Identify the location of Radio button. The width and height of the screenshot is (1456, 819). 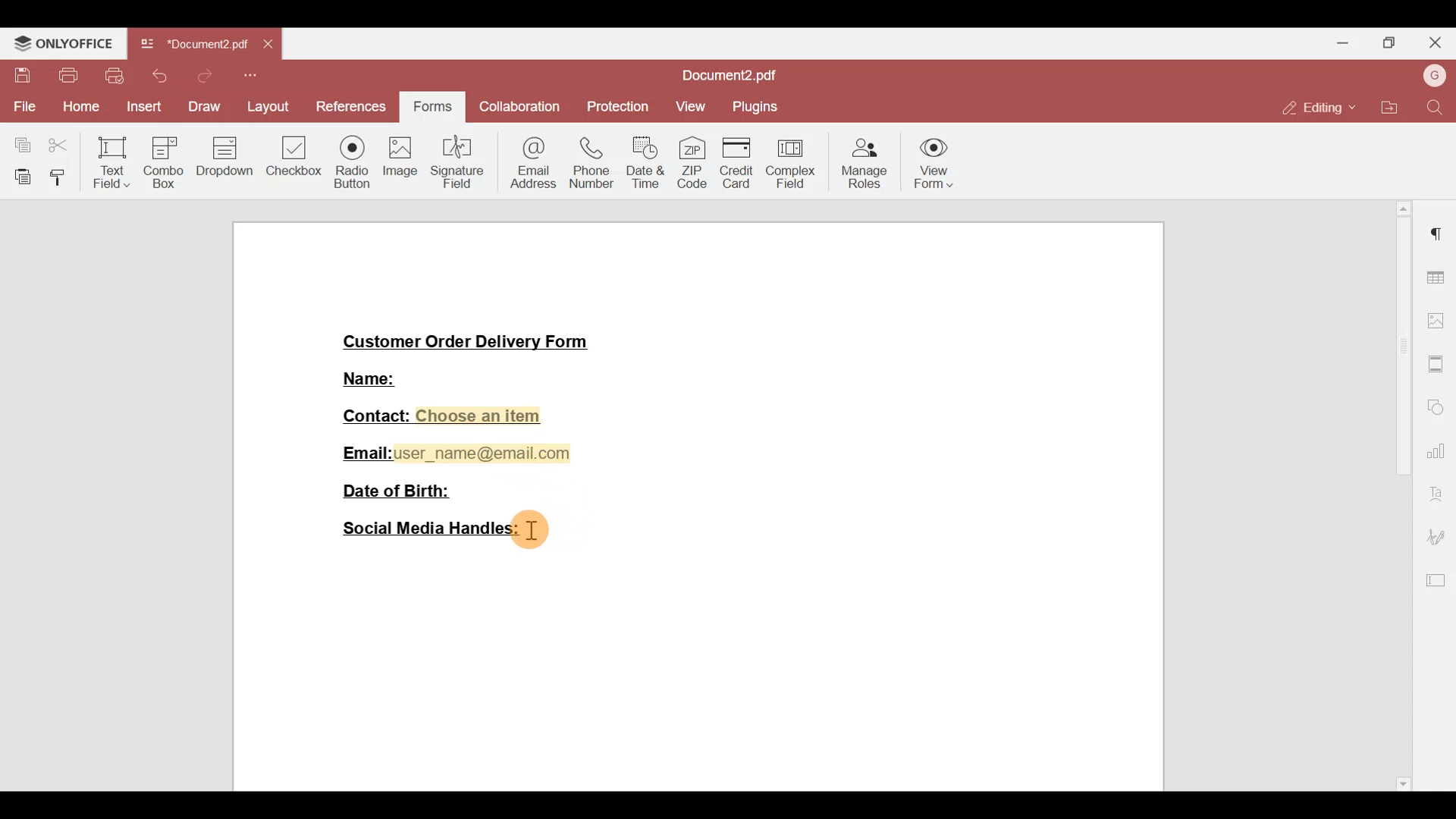
(347, 159).